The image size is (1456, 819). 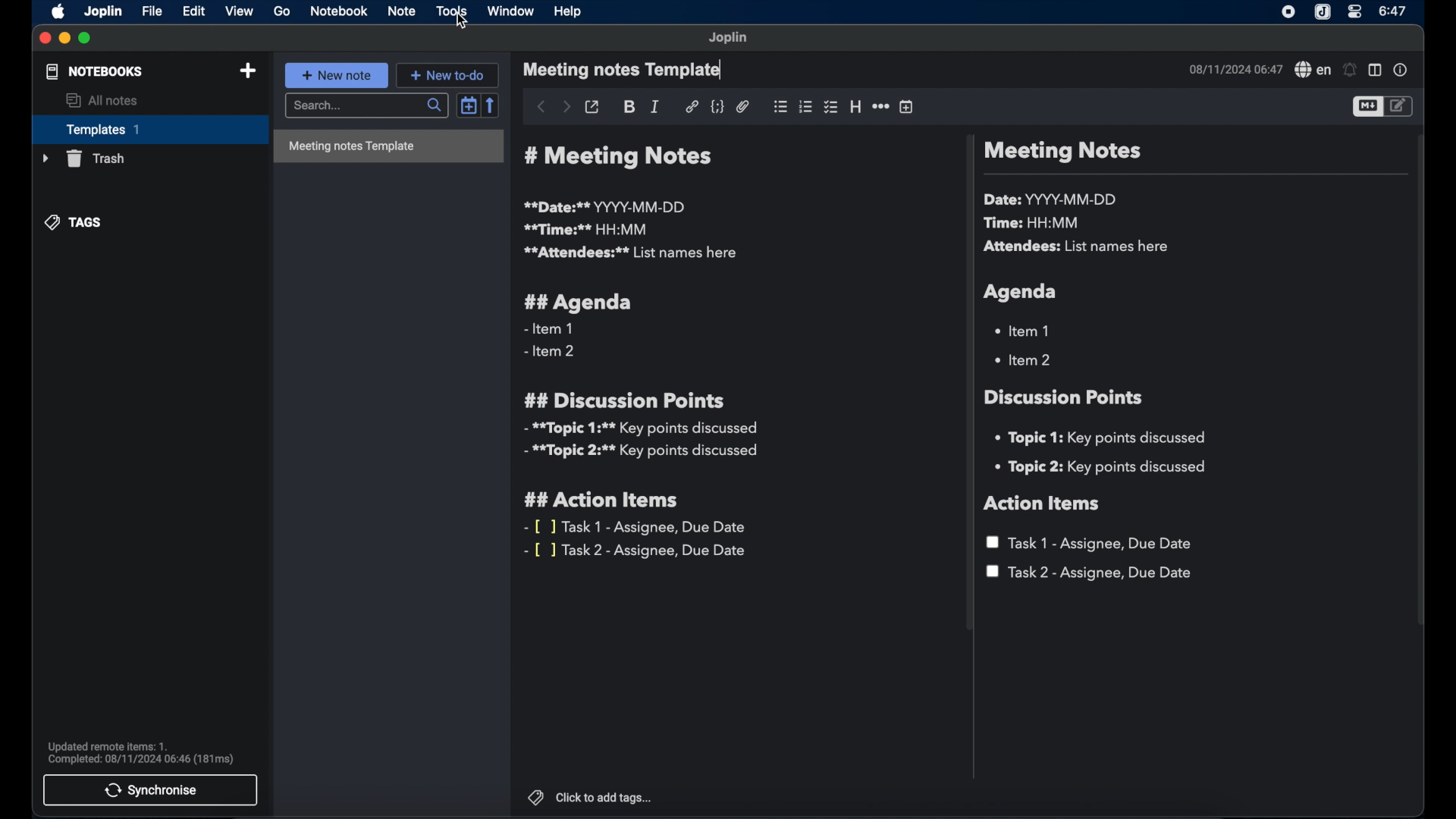 I want to click on **topic 2:** key points discussed, so click(x=642, y=453).